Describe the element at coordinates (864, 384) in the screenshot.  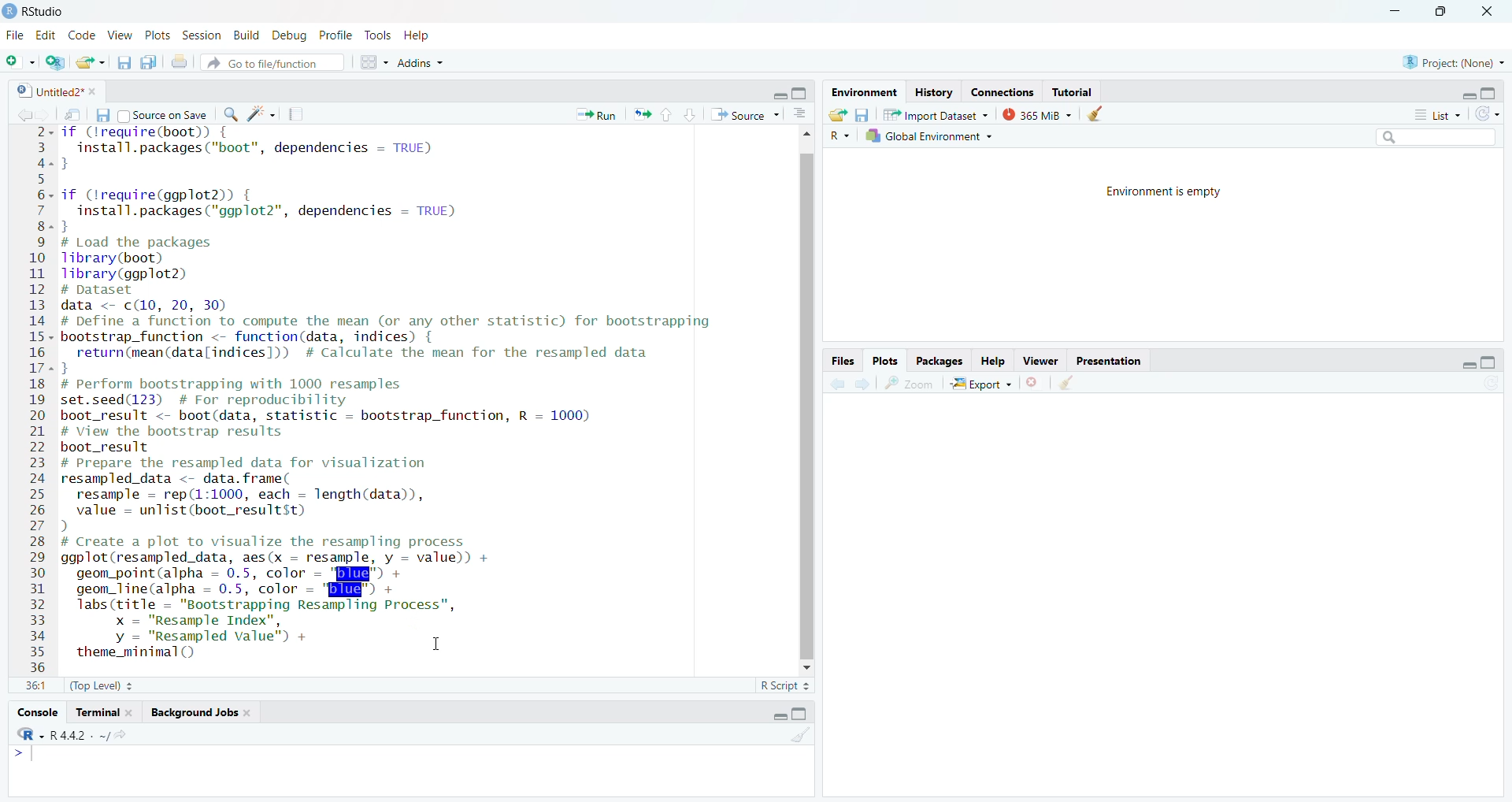
I see `go forward` at that location.